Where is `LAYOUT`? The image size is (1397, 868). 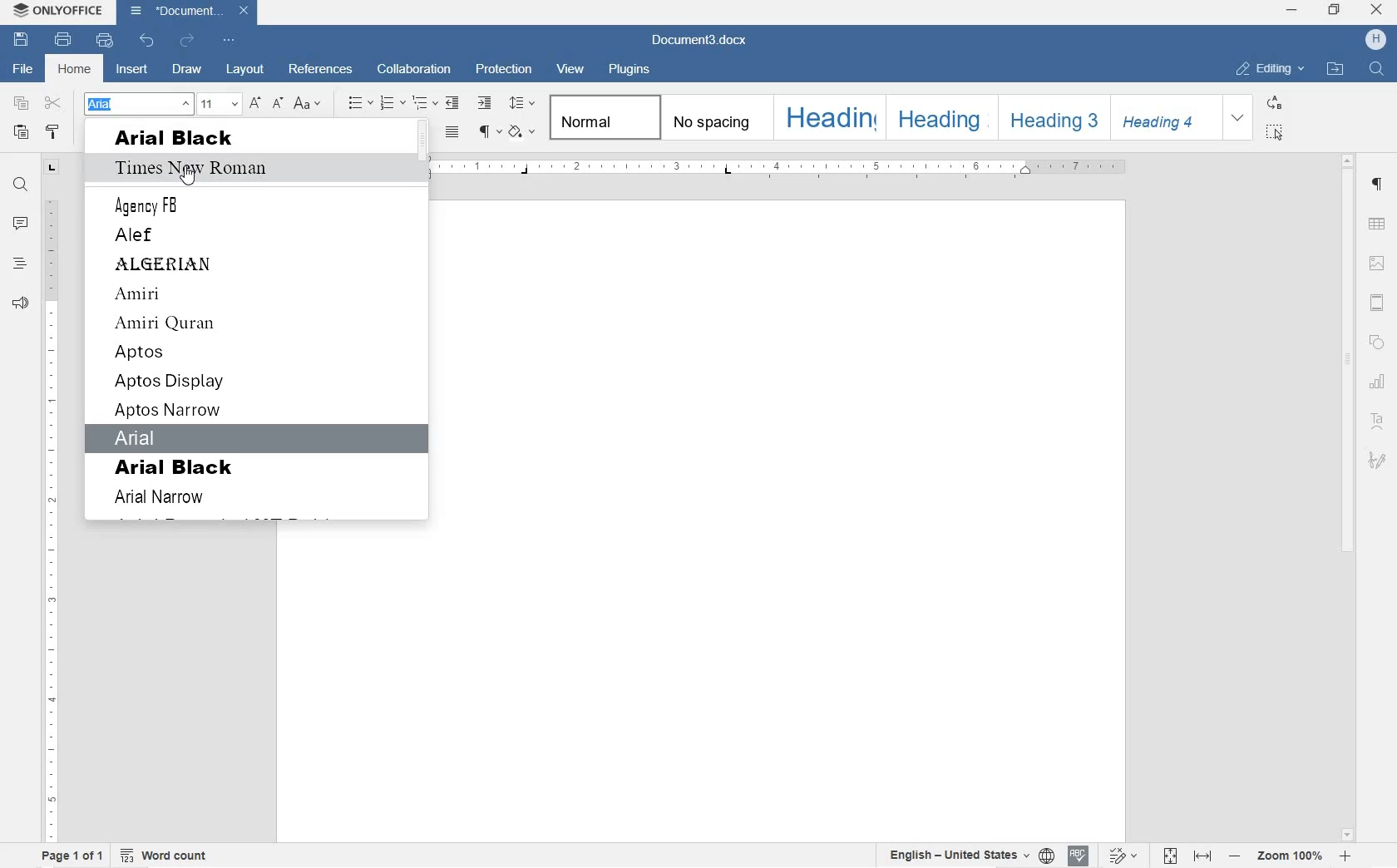
LAYOUT is located at coordinates (246, 70).